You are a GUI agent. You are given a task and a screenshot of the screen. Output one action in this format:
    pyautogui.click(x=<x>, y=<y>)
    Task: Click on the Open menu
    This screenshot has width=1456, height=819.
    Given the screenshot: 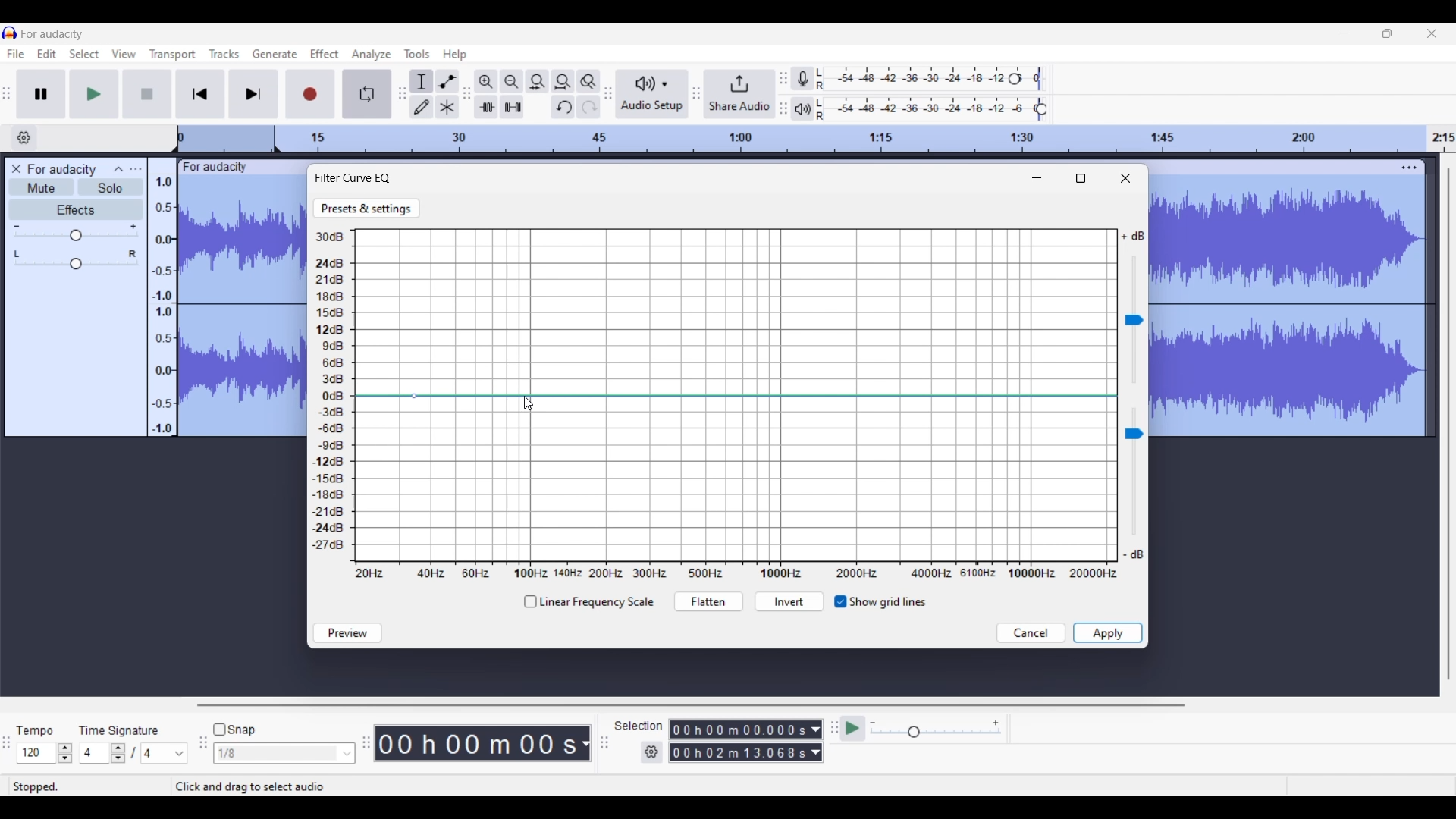 What is the action you would take?
    pyautogui.click(x=135, y=168)
    